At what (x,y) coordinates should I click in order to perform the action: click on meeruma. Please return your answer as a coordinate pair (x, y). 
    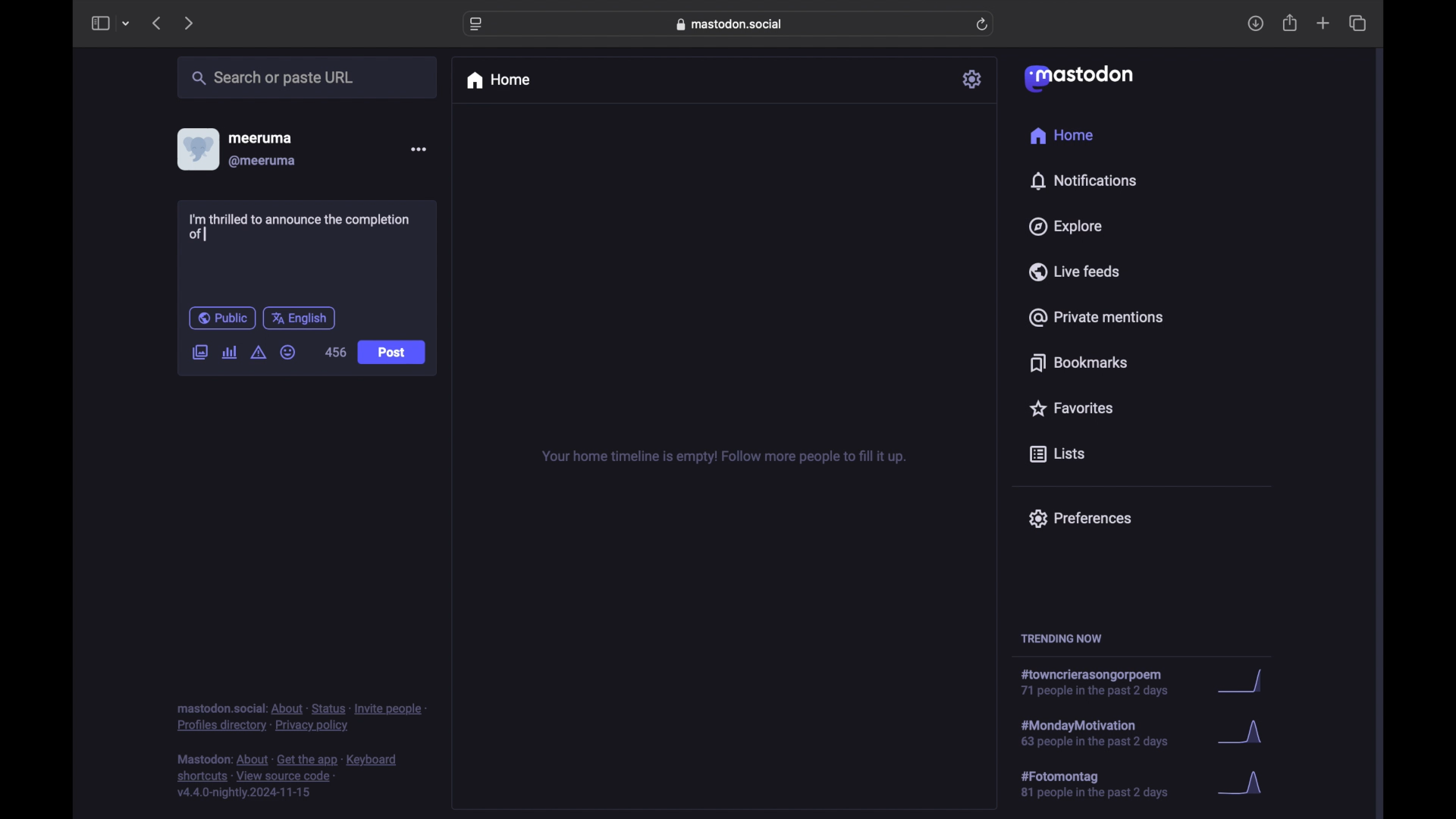
    Looking at the image, I should click on (260, 138).